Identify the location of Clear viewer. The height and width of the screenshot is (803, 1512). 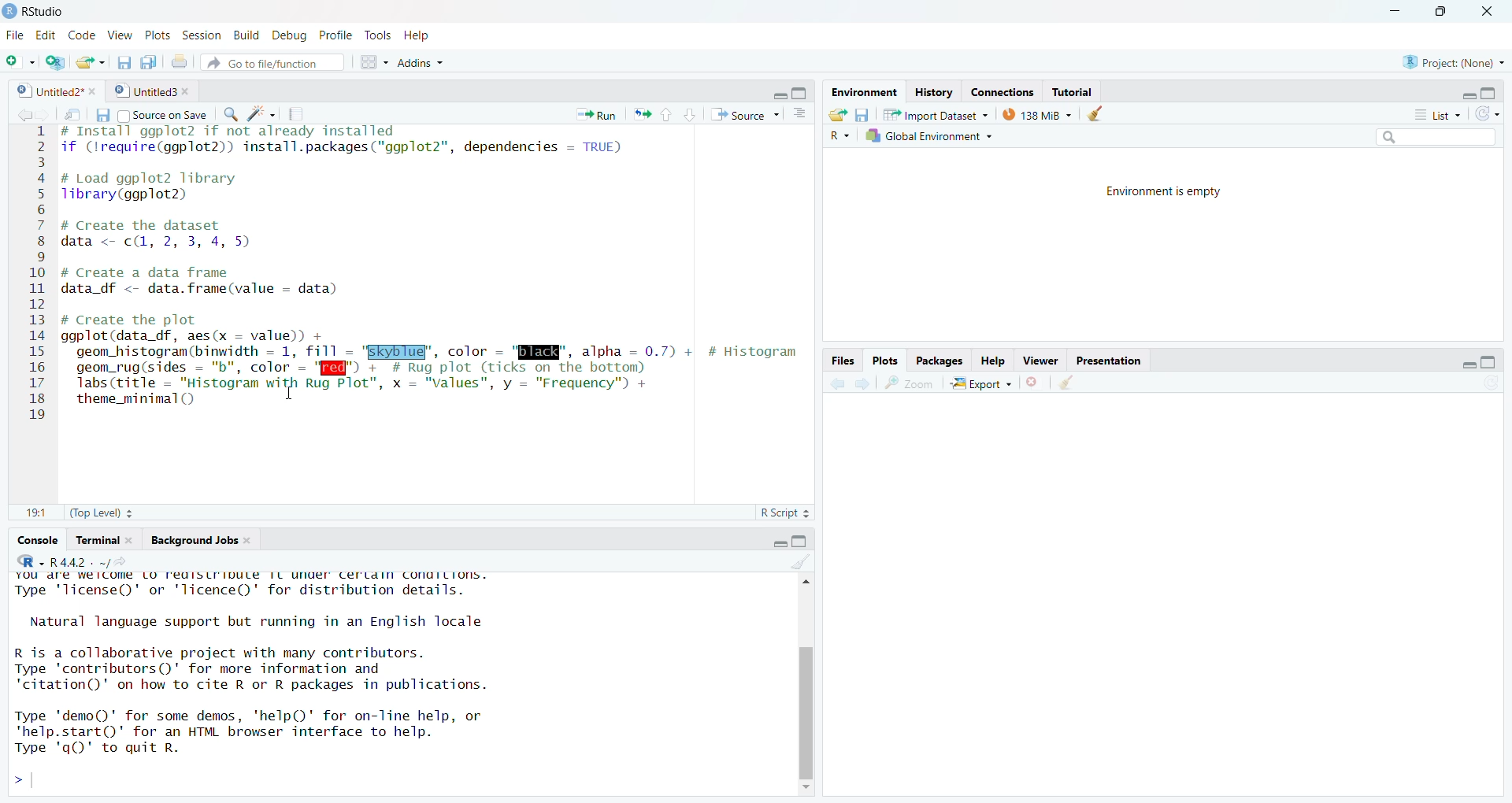
(1076, 383).